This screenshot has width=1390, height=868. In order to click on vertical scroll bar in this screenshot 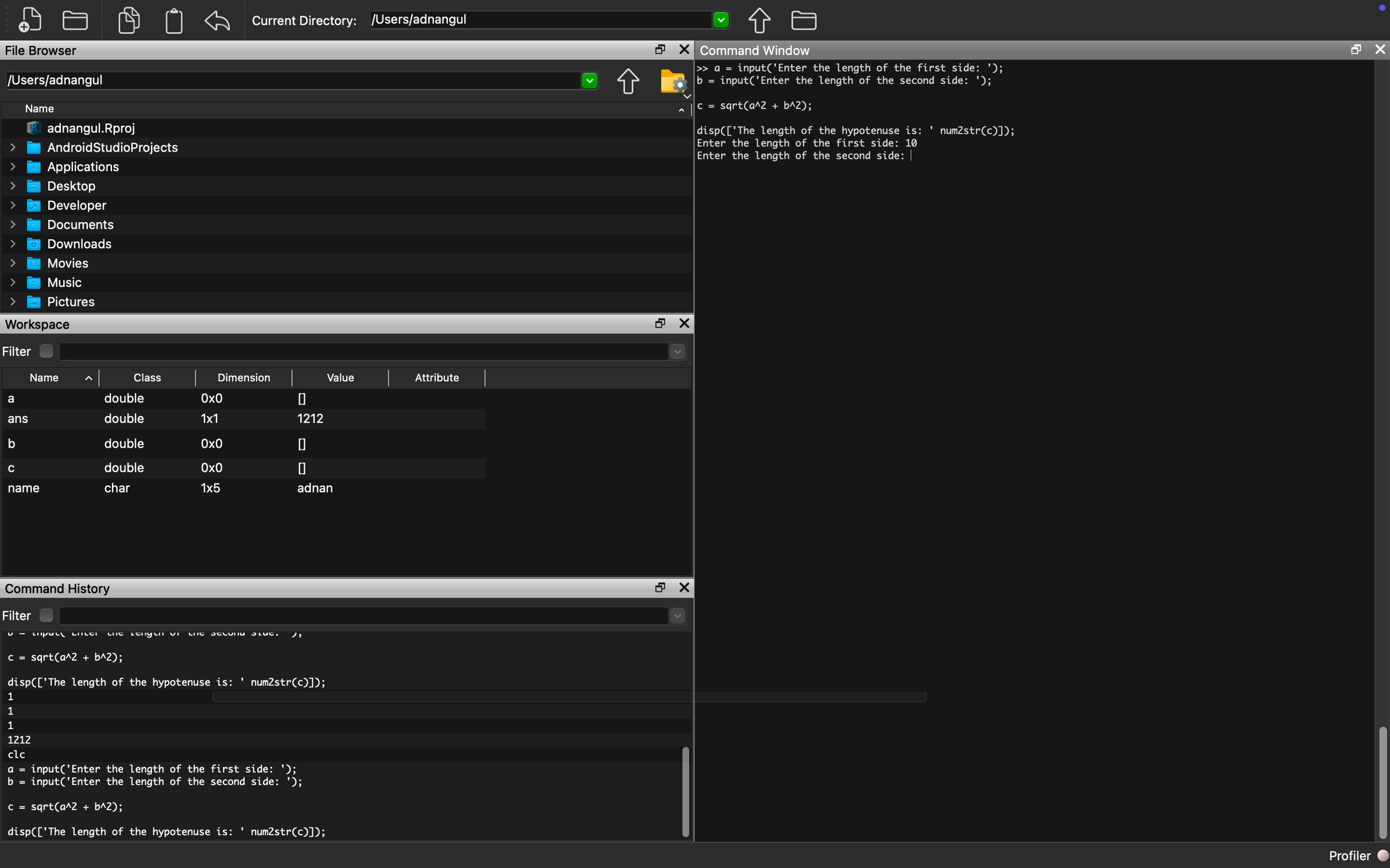, I will do `click(682, 781)`.